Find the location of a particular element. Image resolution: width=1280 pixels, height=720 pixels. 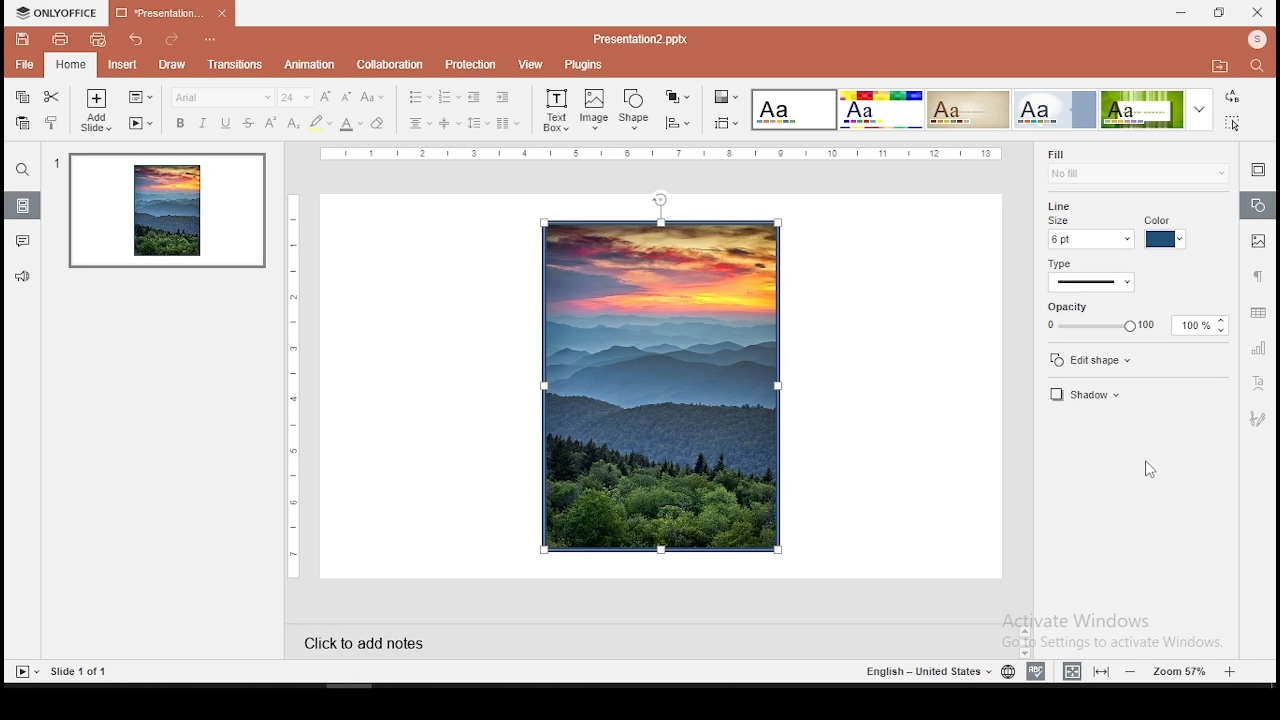

fill is located at coordinates (1136, 166).